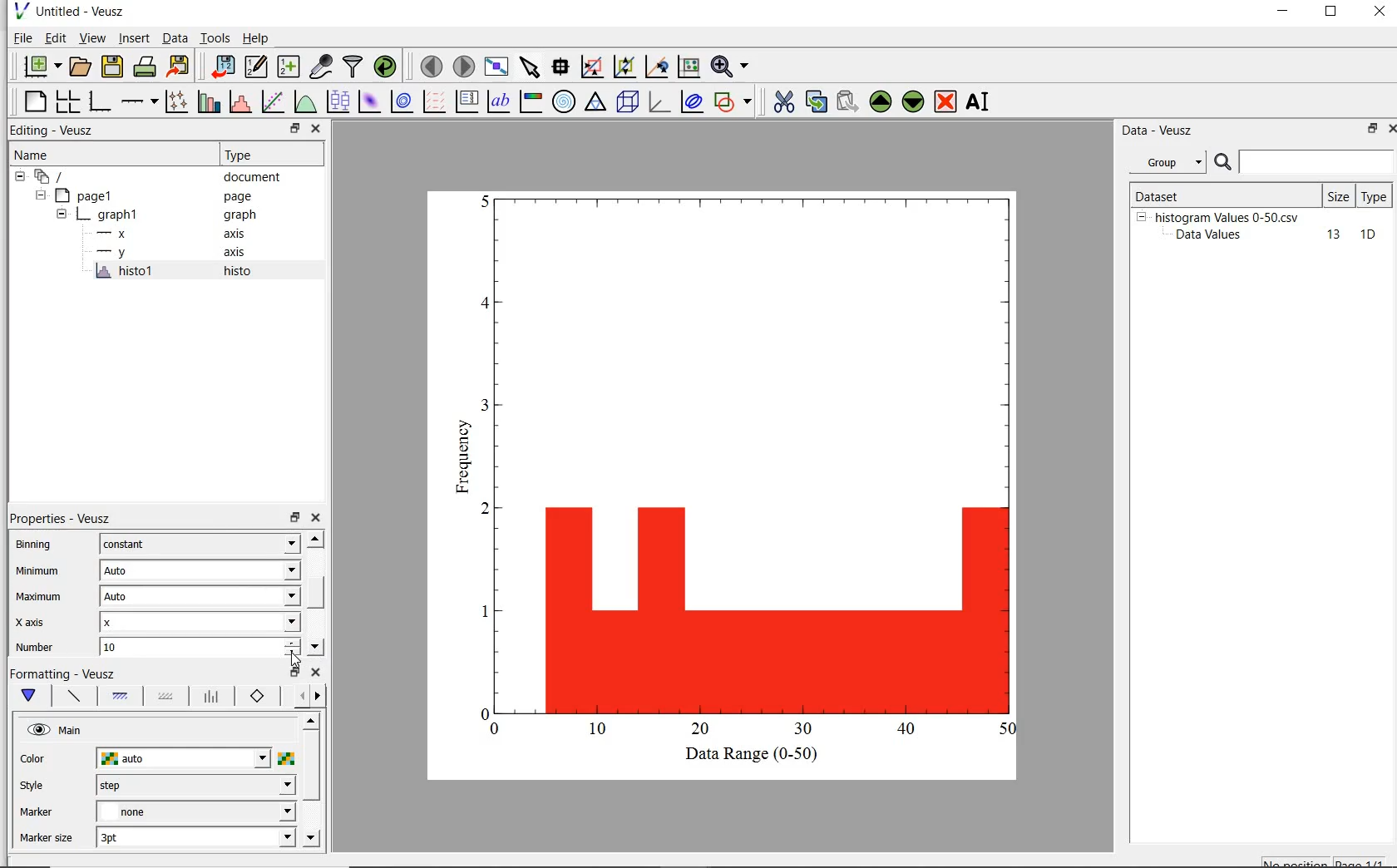 Image resolution: width=1397 pixels, height=868 pixels. What do you see at coordinates (200, 622) in the screenshot?
I see `x` at bounding box center [200, 622].